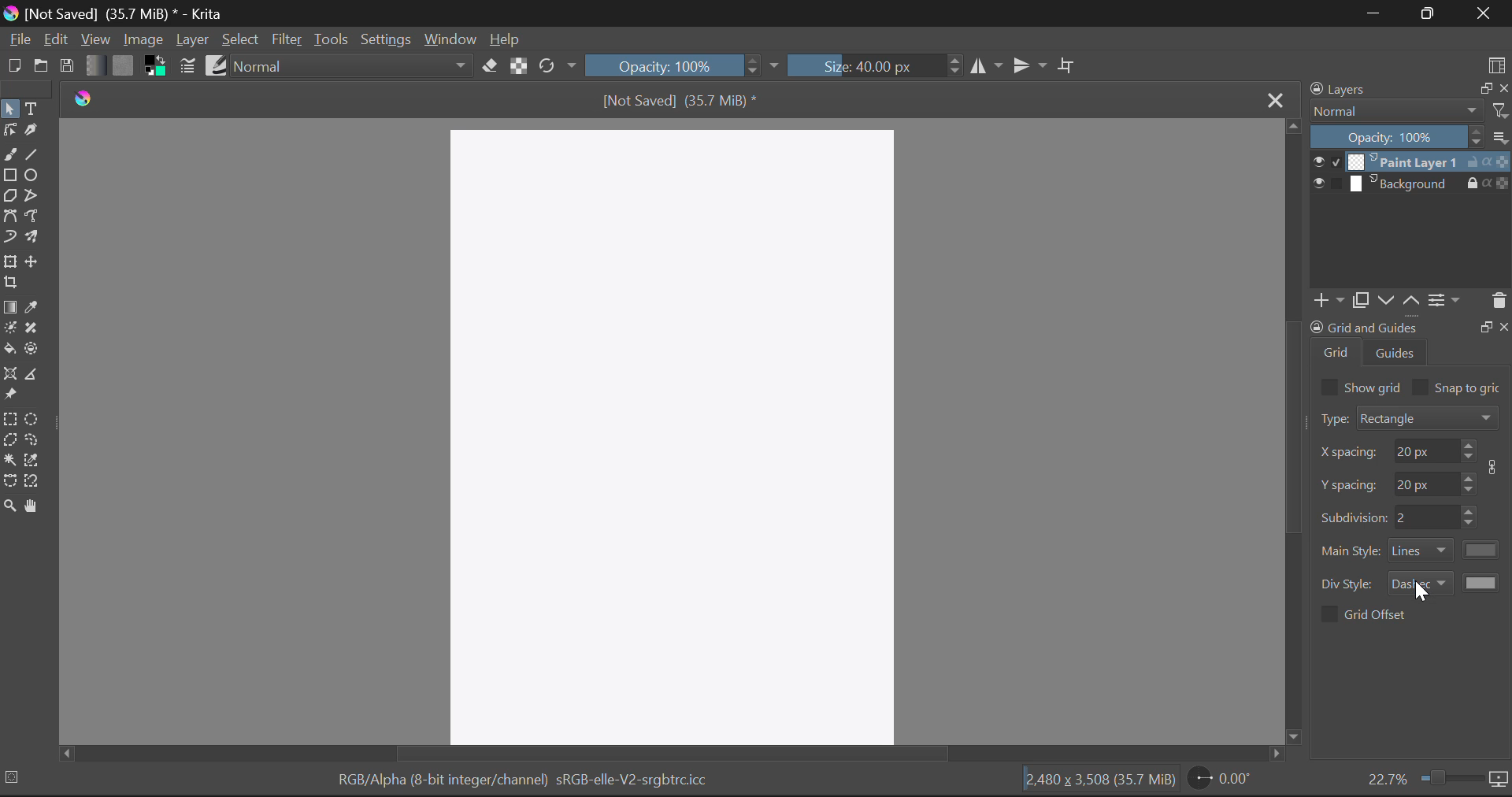 The image size is (1512, 797). I want to click on , so click(1485, 325).